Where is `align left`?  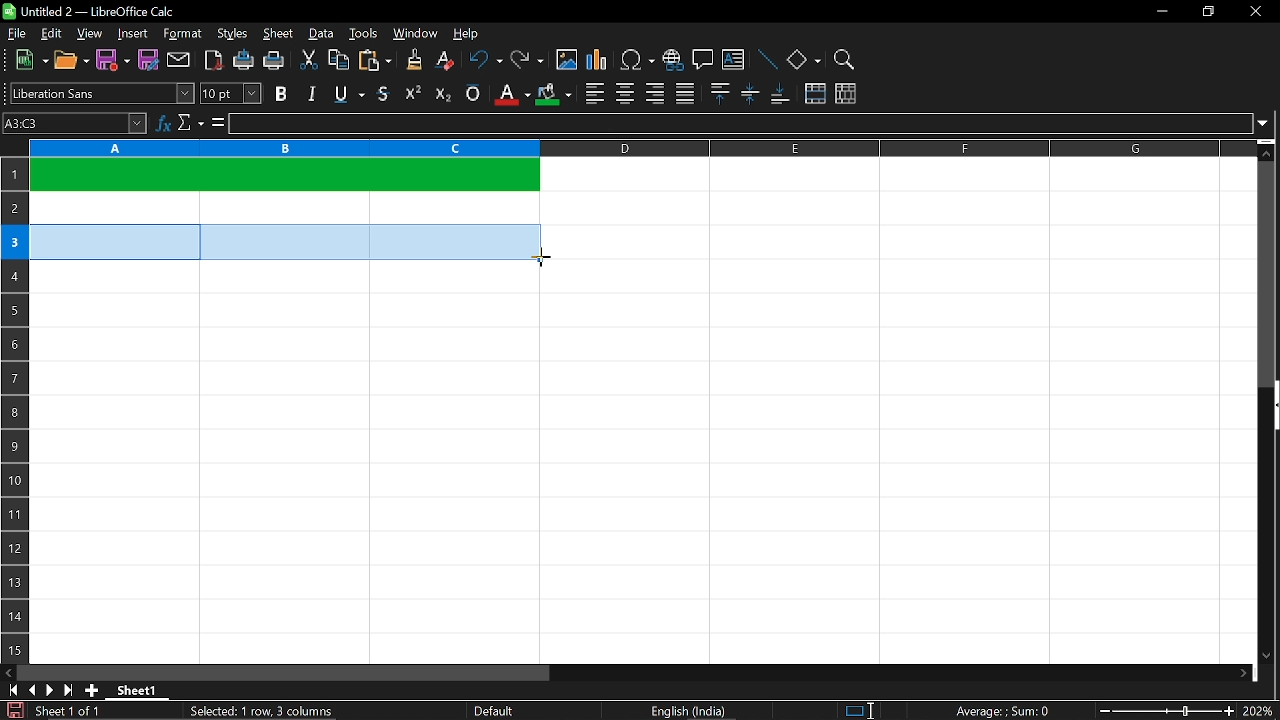
align left is located at coordinates (594, 92).